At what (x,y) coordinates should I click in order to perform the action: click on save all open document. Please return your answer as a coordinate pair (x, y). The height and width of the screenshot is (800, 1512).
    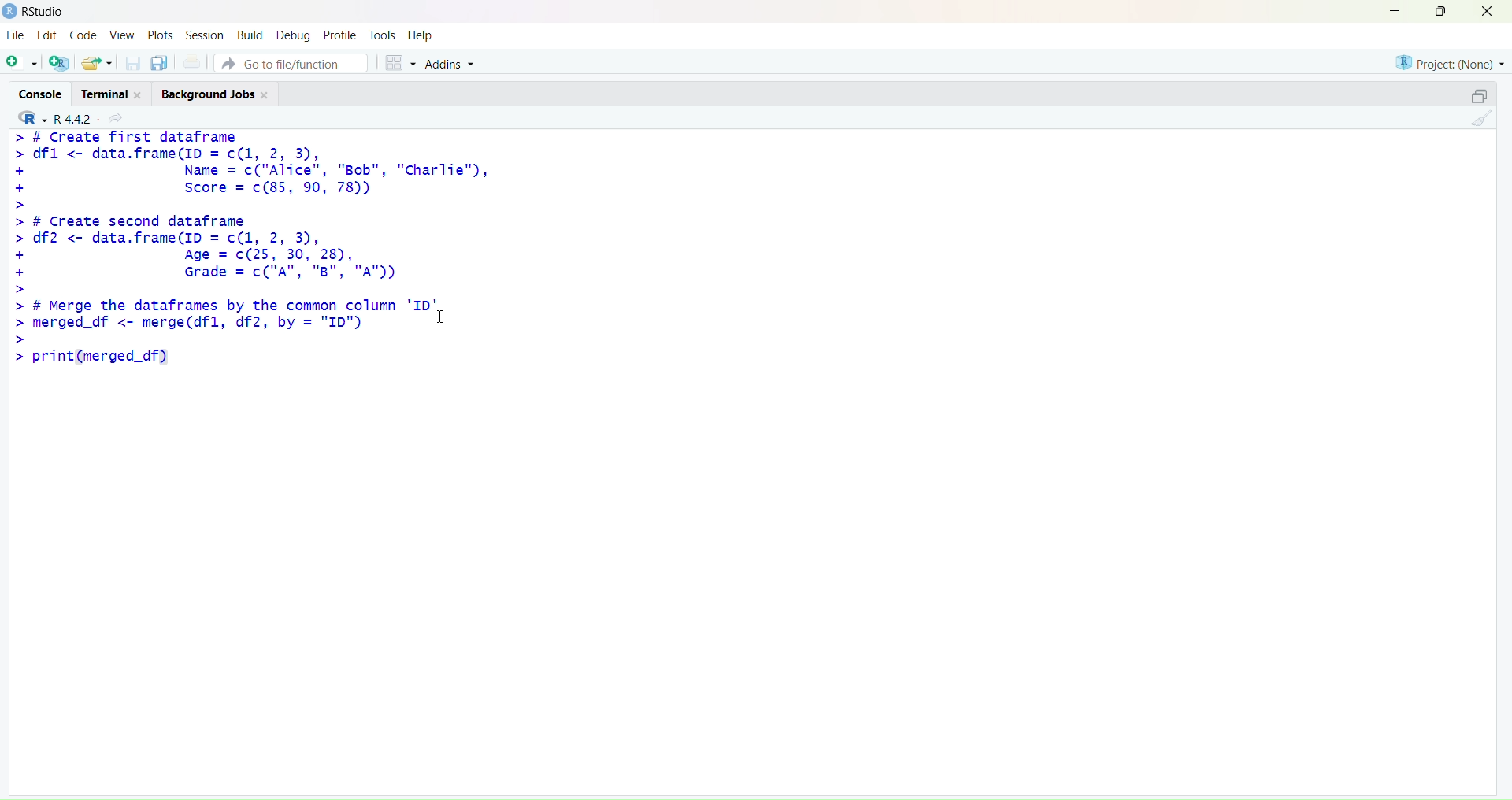
    Looking at the image, I should click on (161, 64).